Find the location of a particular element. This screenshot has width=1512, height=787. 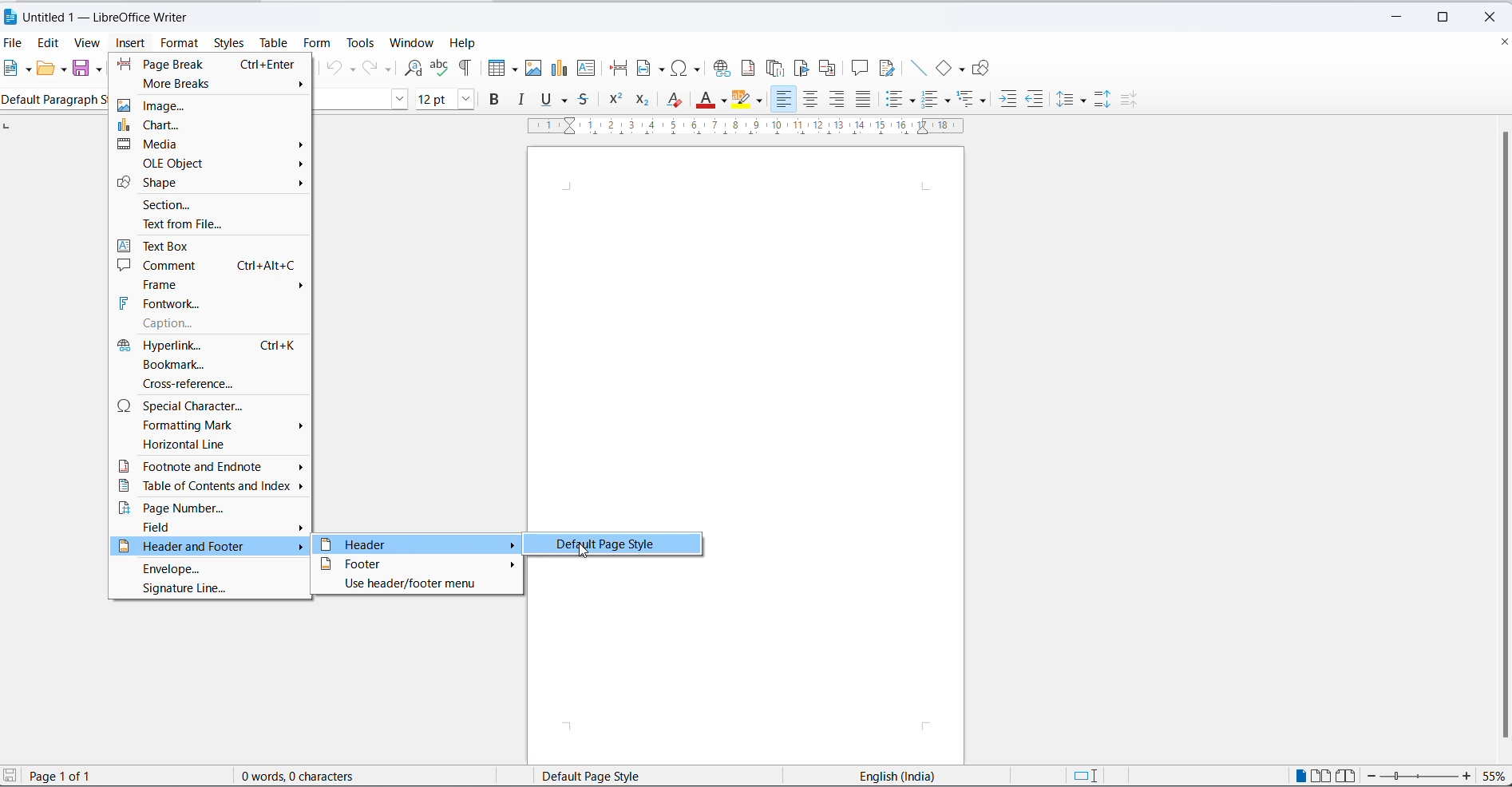

insert is located at coordinates (133, 44).